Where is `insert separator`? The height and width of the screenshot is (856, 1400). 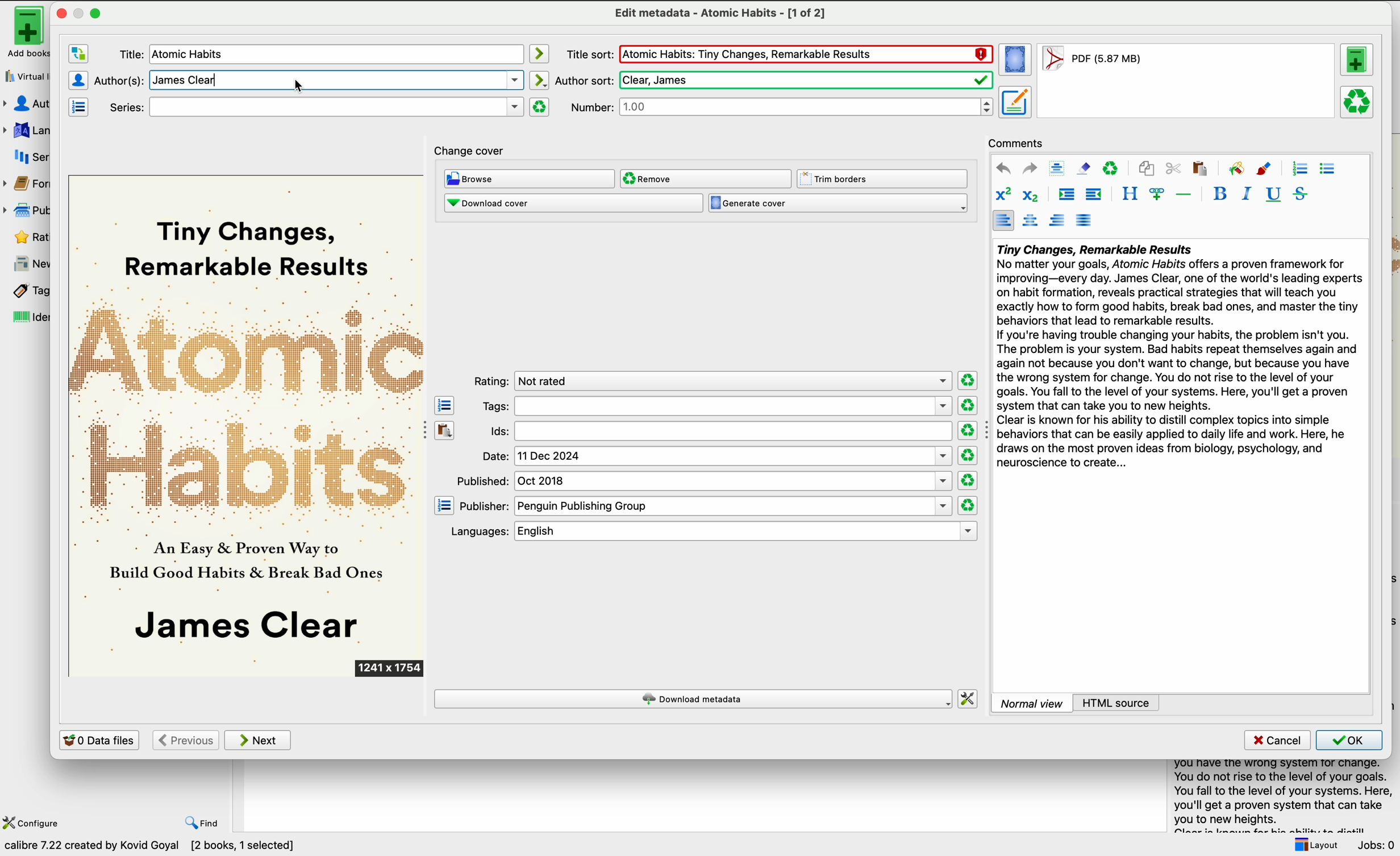
insert separator is located at coordinates (1184, 194).